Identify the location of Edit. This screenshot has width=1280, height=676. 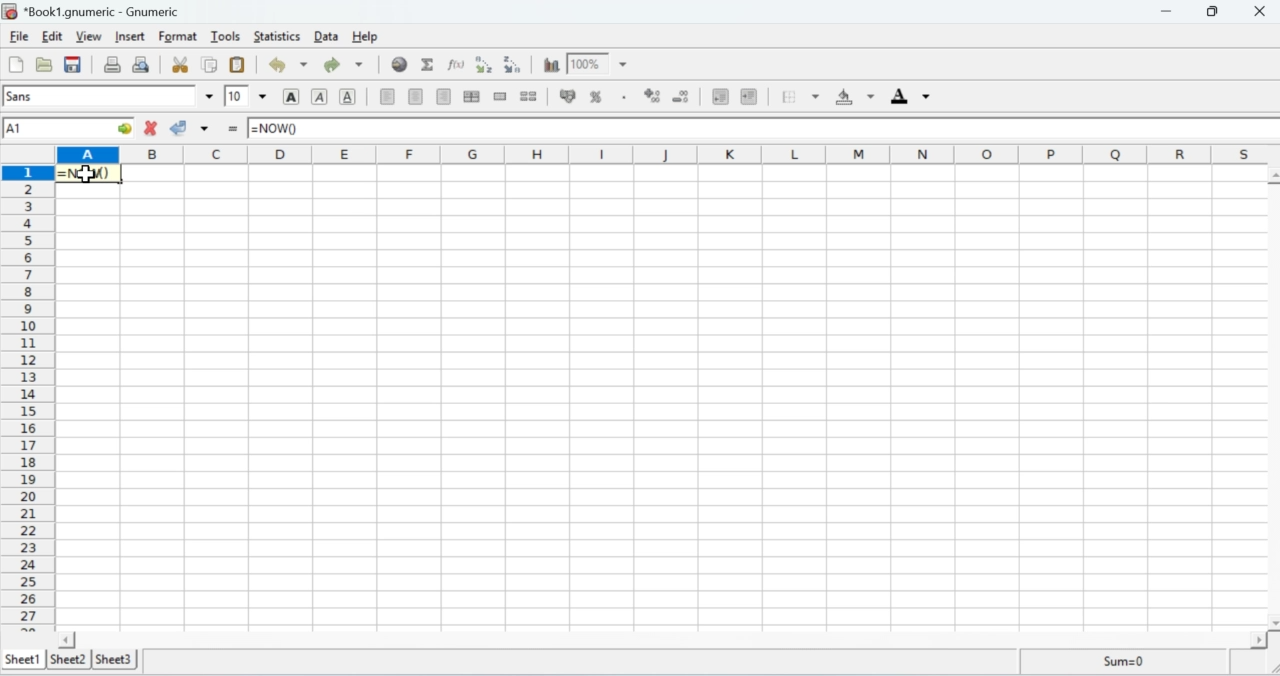
(54, 36).